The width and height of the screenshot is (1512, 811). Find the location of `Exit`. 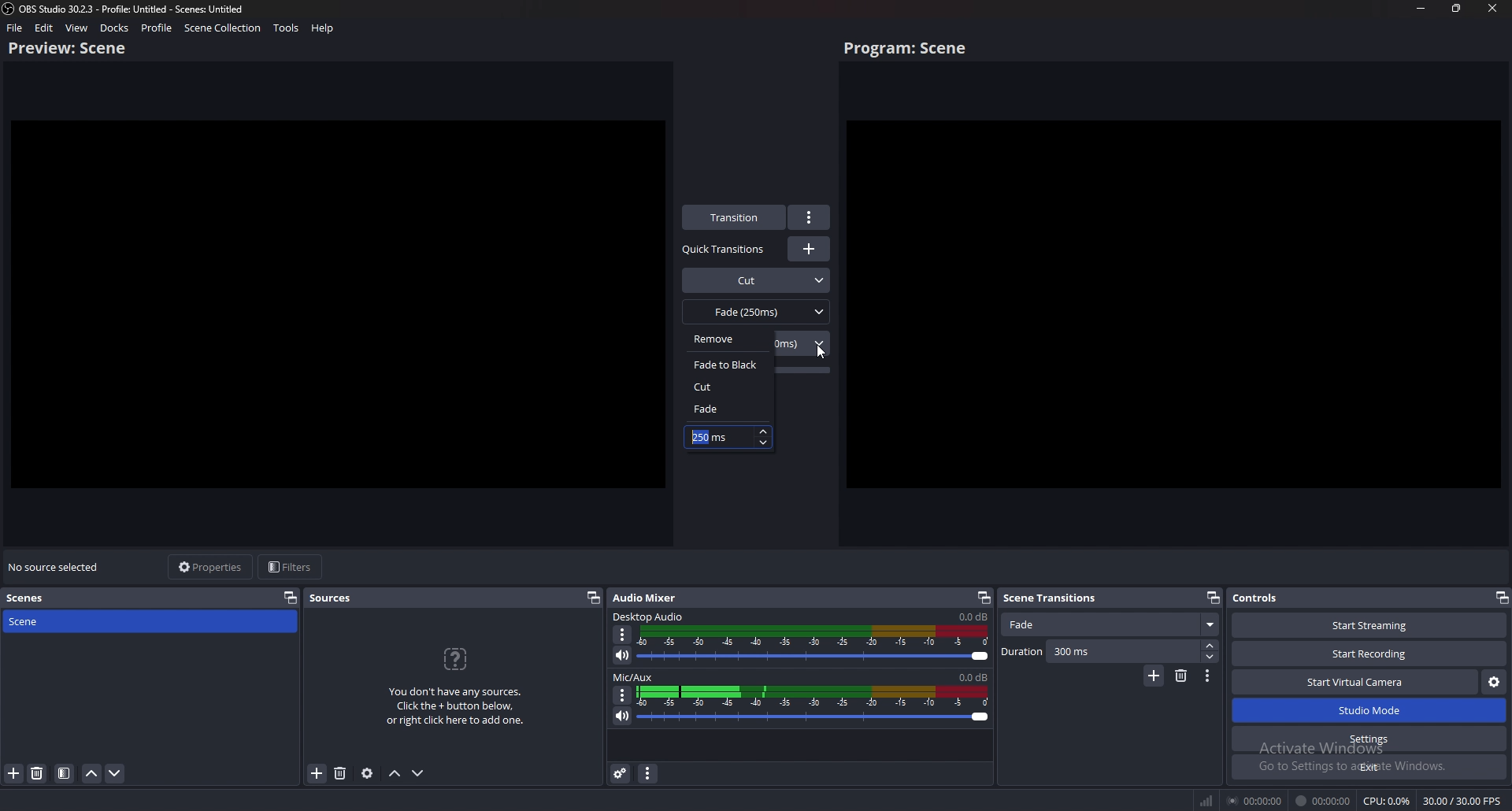

Exit is located at coordinates (1369, 767).